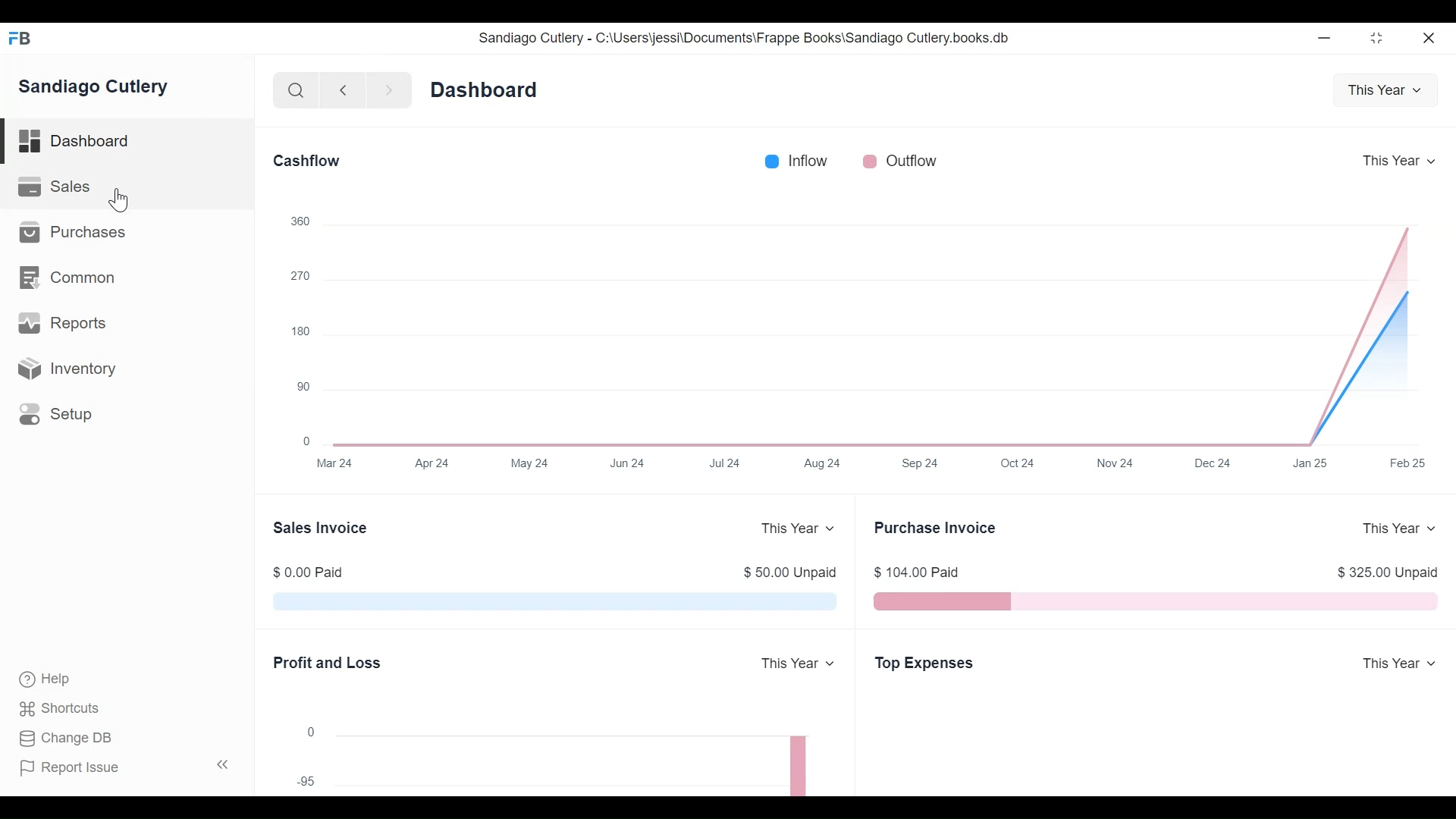  Describe the element at coordinates (96, 86) in the screenshot. I see `Sandiago Cutlery` at that location.